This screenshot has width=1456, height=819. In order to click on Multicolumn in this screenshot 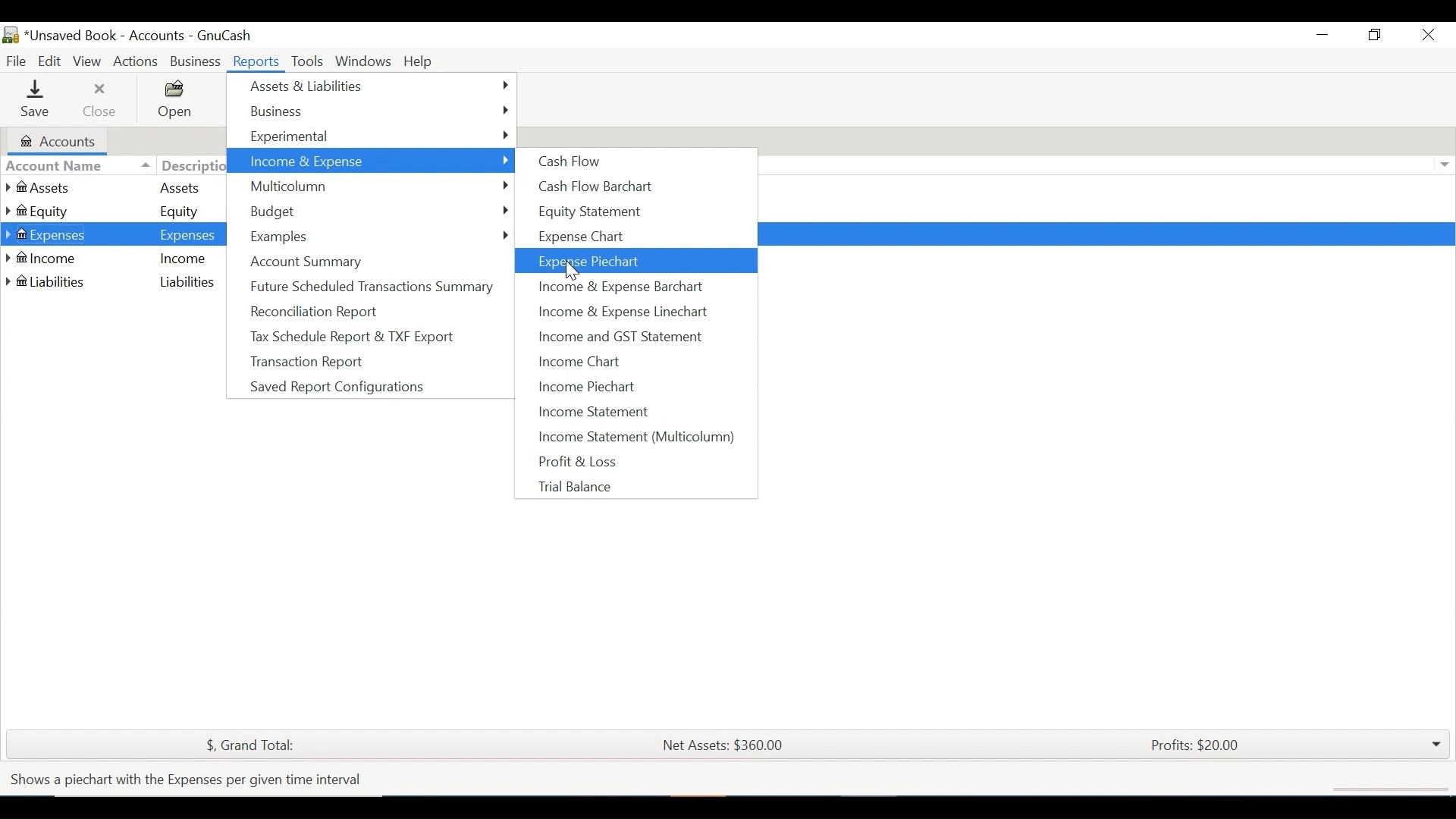, I will do `click(371, 187)`.